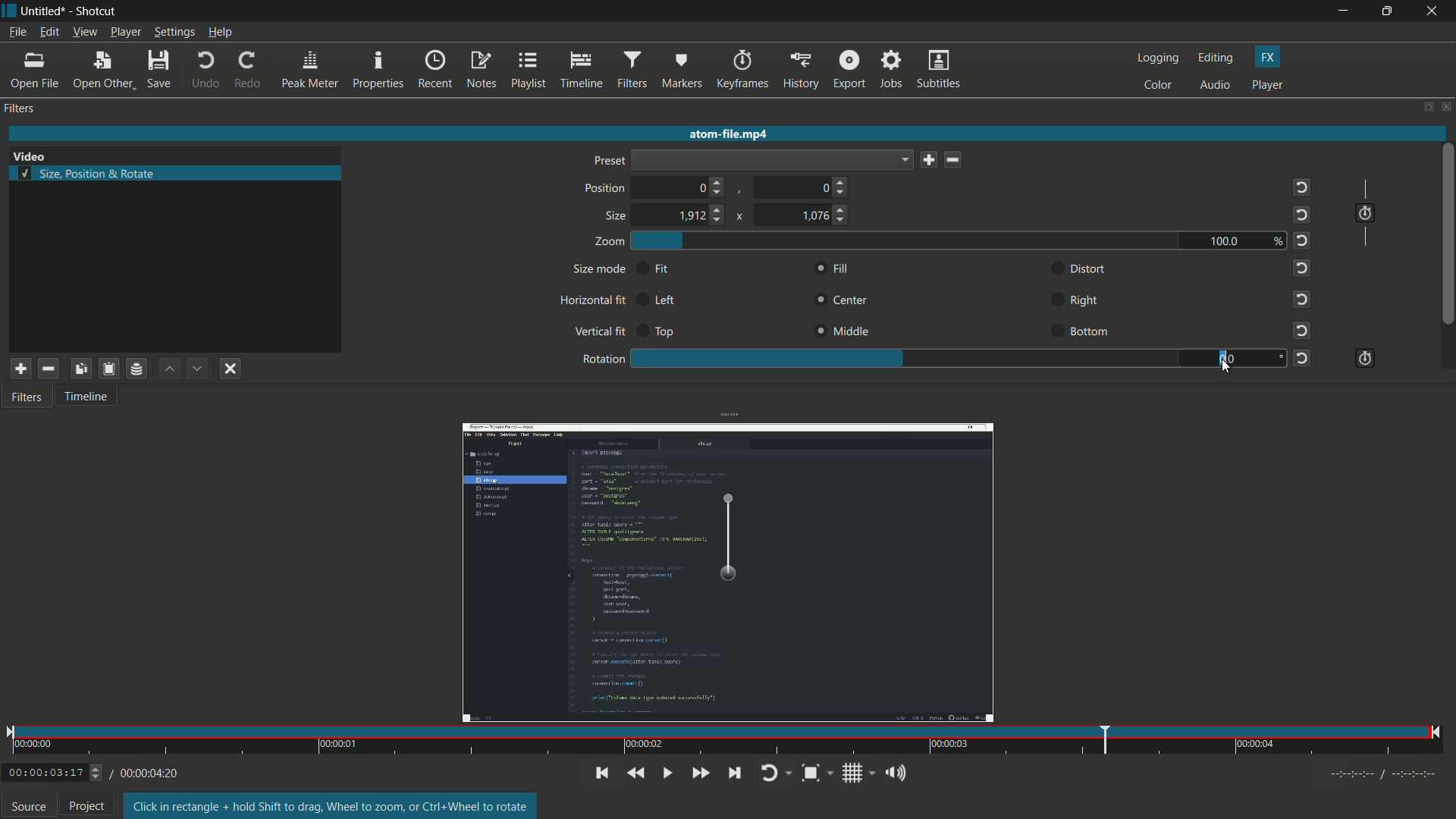  I want to click on bottom, so click(1091, 331).